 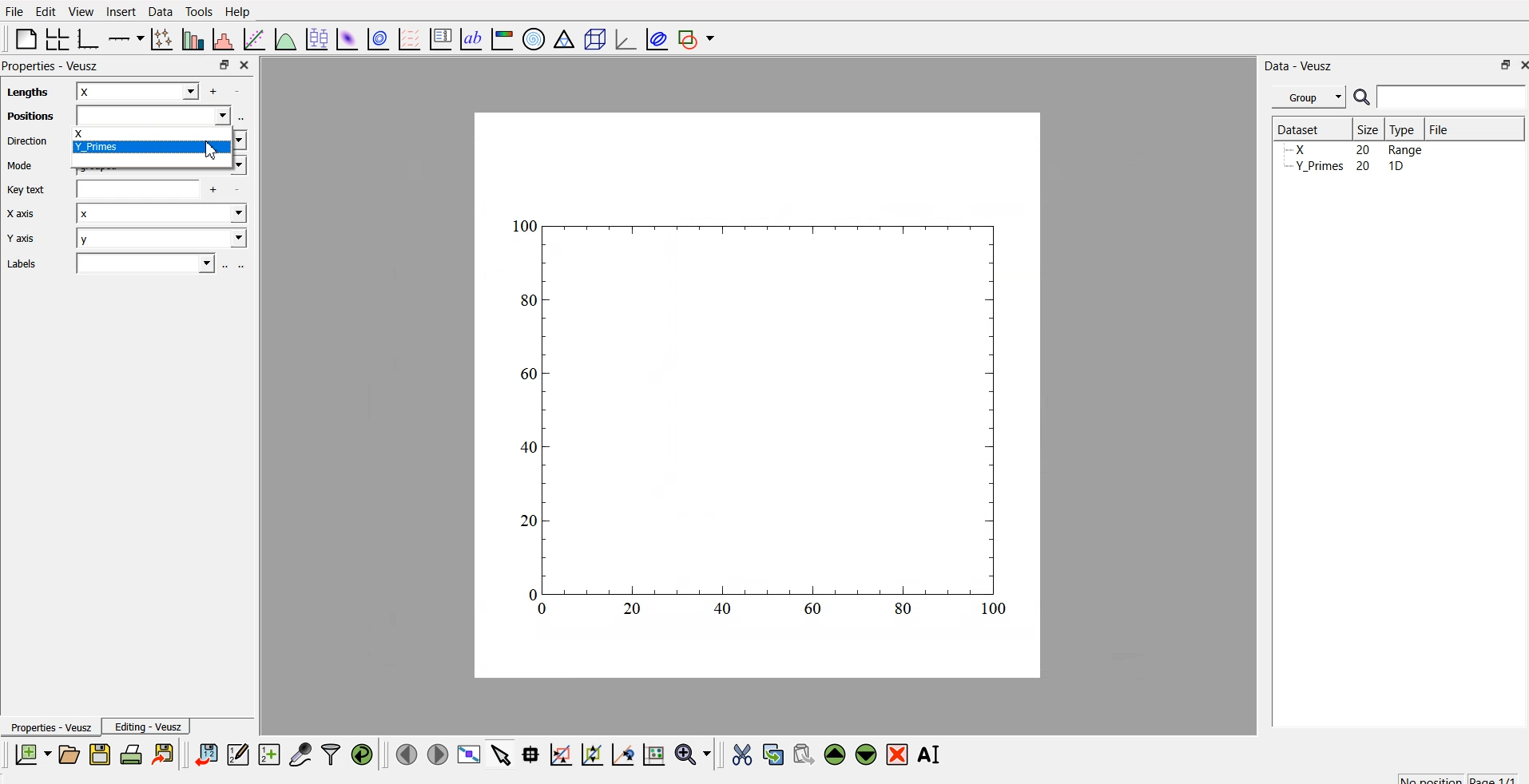 I want to click on plot function, so click(x=284, y=39).